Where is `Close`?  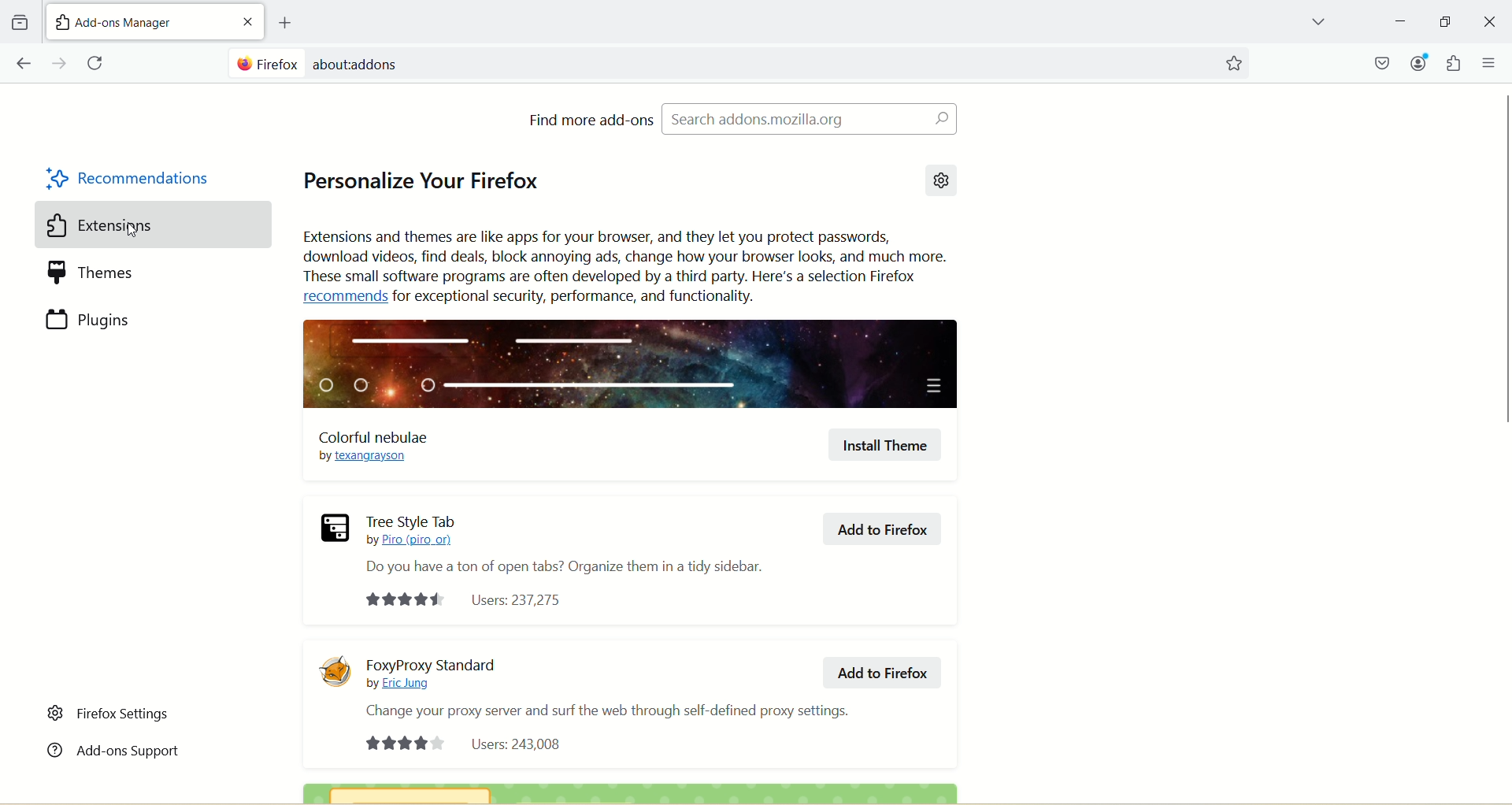
Close is located at coordinates (1491, 22).